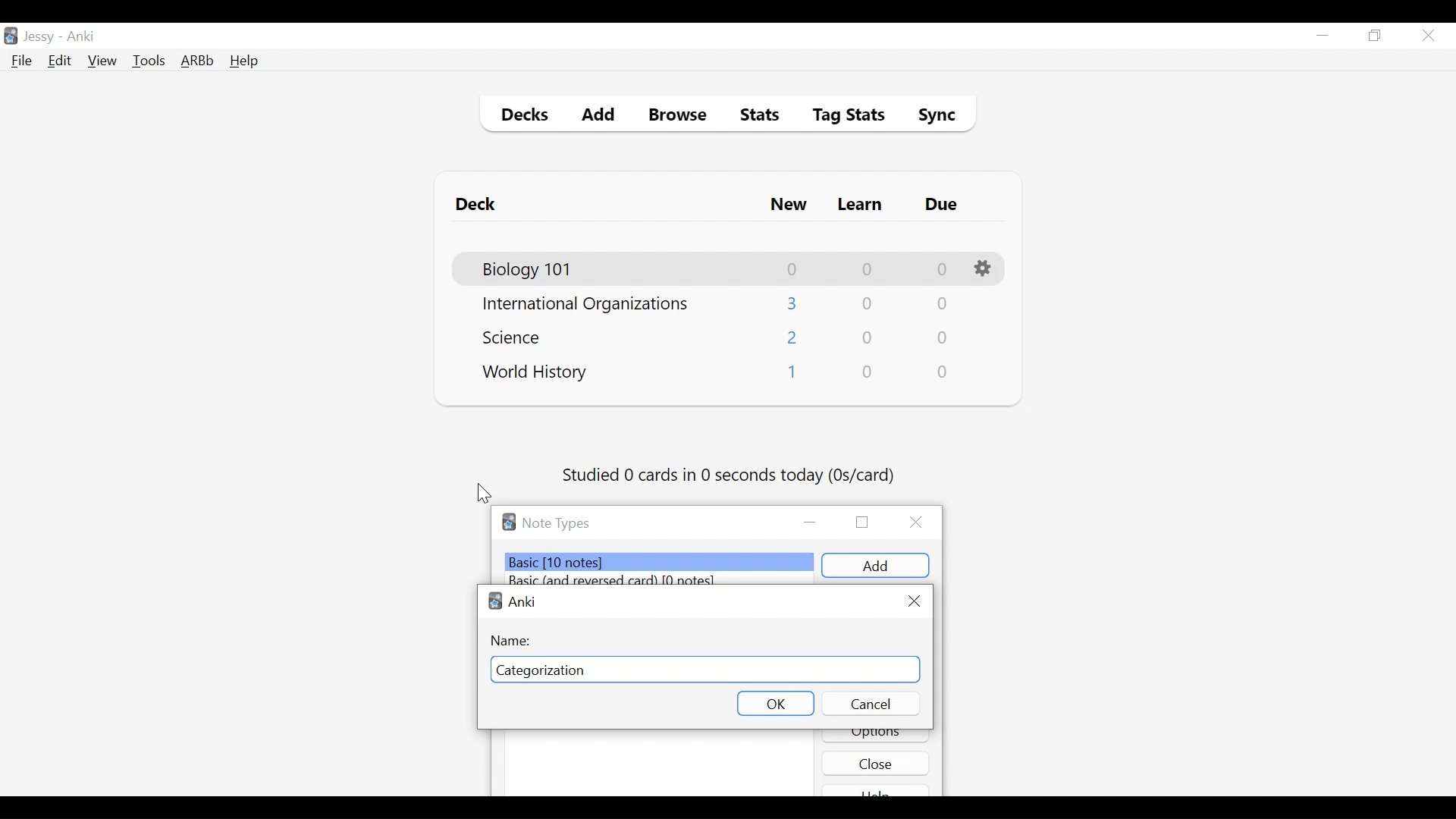 The width and height of the screenshot is (1456, 819). Describe the element at coordinates (58, 62) in the screenshot. I see `Edit` at that location.